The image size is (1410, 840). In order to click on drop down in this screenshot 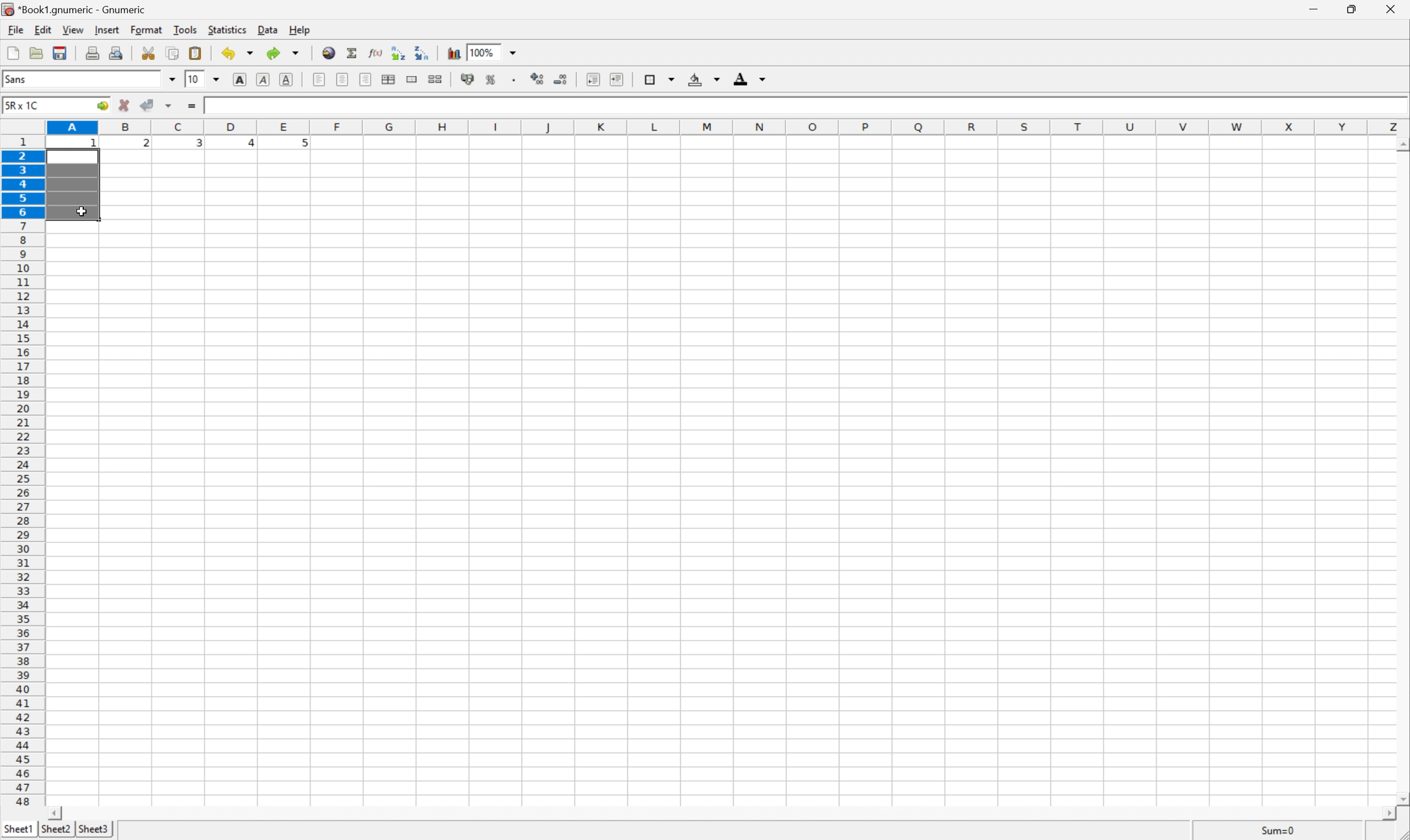, I will do `click(216, 79)`.